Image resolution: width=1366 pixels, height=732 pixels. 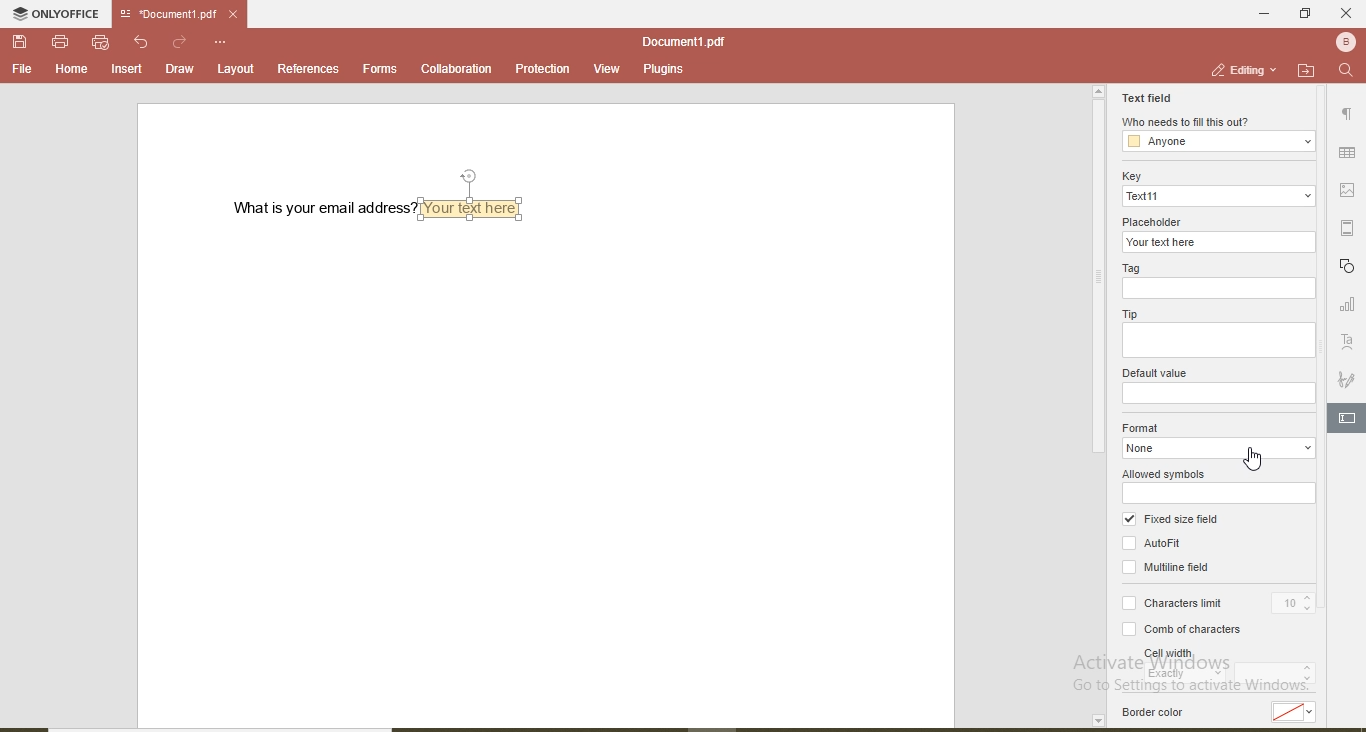 What do you see at coordinates (1217, 289) in the screenshot?
I see `tag input` at bounding box center [1217, 289].